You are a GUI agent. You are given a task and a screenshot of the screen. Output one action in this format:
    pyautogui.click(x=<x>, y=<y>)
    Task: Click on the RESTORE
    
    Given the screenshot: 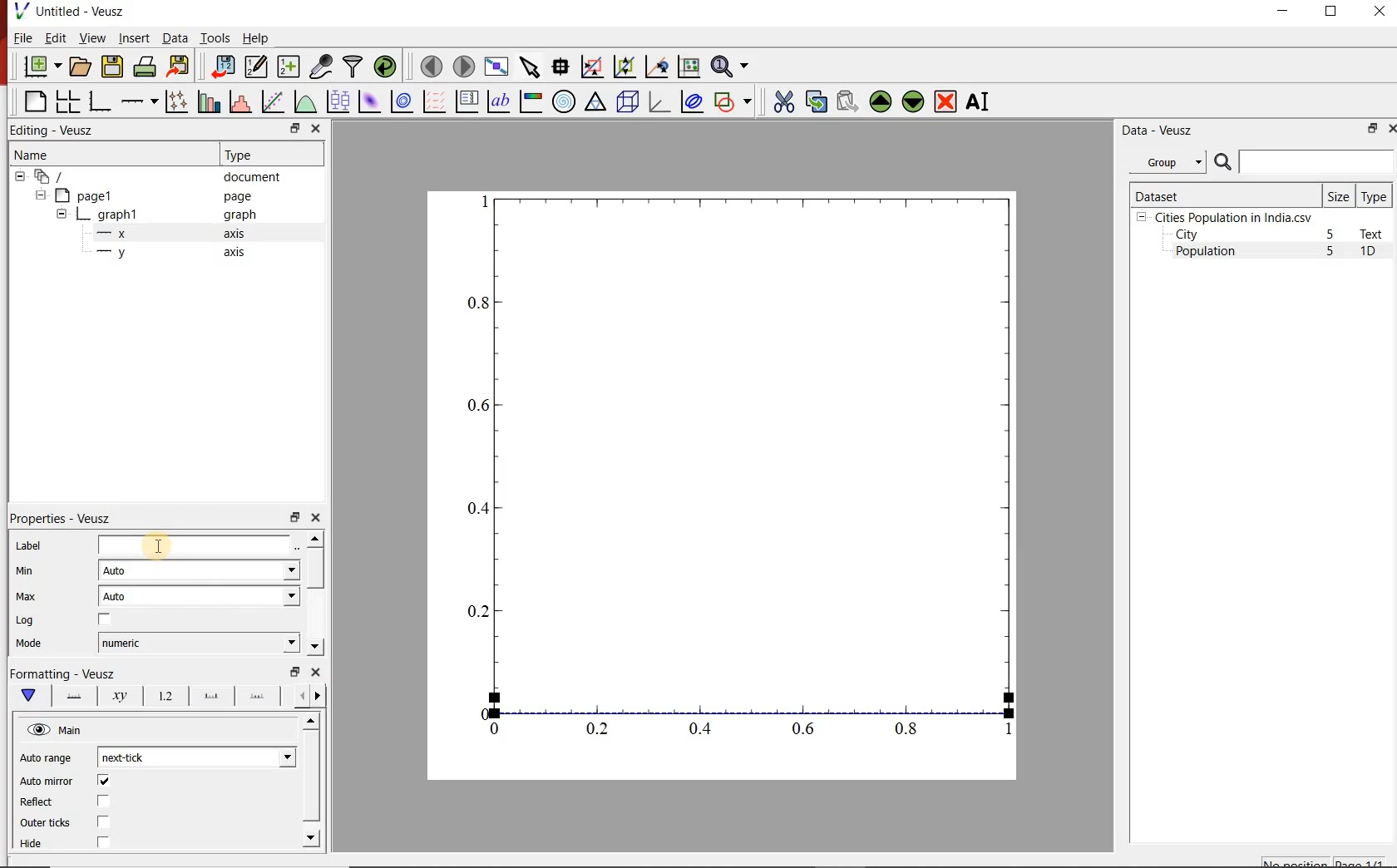 What is the action you would take?
    pyautogui.click(x=1331, y=12)
    